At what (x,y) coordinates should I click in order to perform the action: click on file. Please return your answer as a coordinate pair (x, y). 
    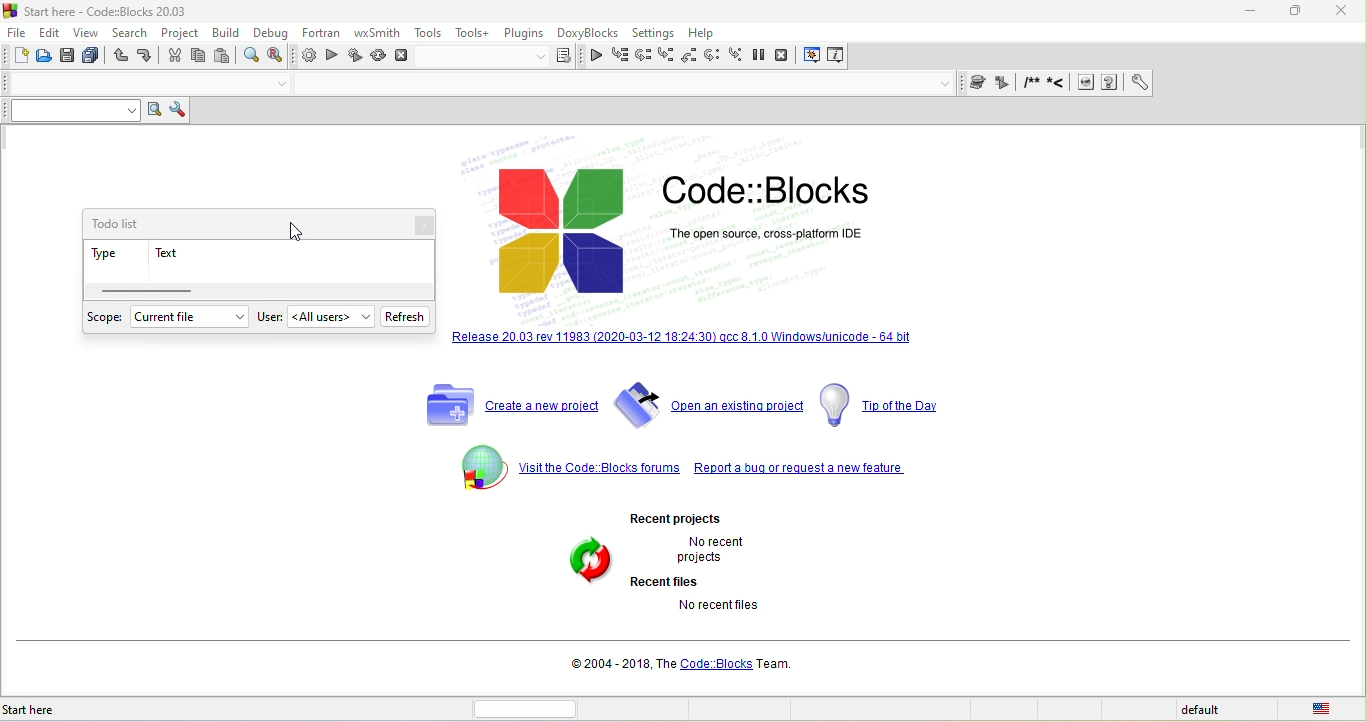
    Looking at the image, I should click on (20, 32).